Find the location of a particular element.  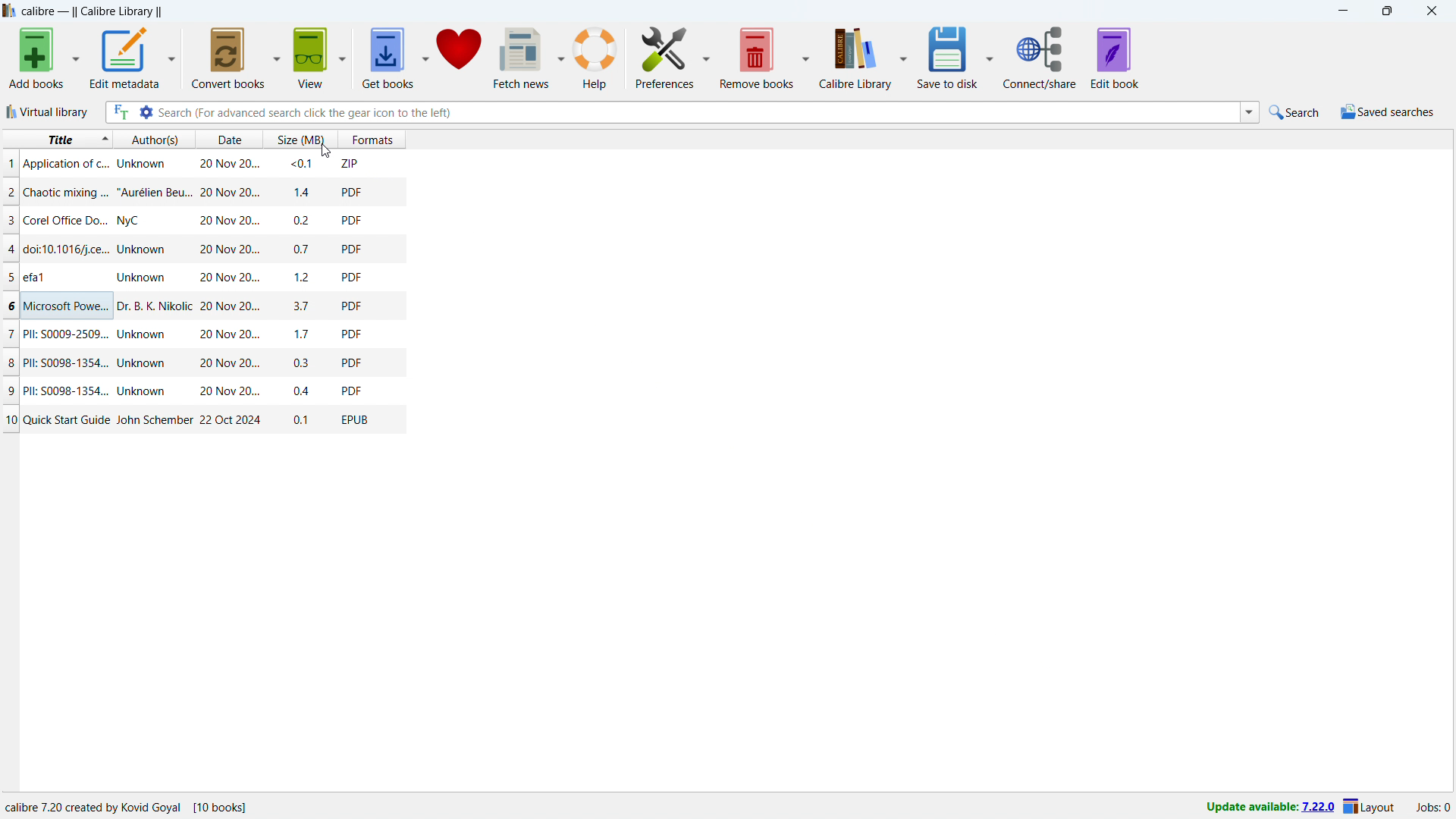

formats is located at coordinates (372, 140).